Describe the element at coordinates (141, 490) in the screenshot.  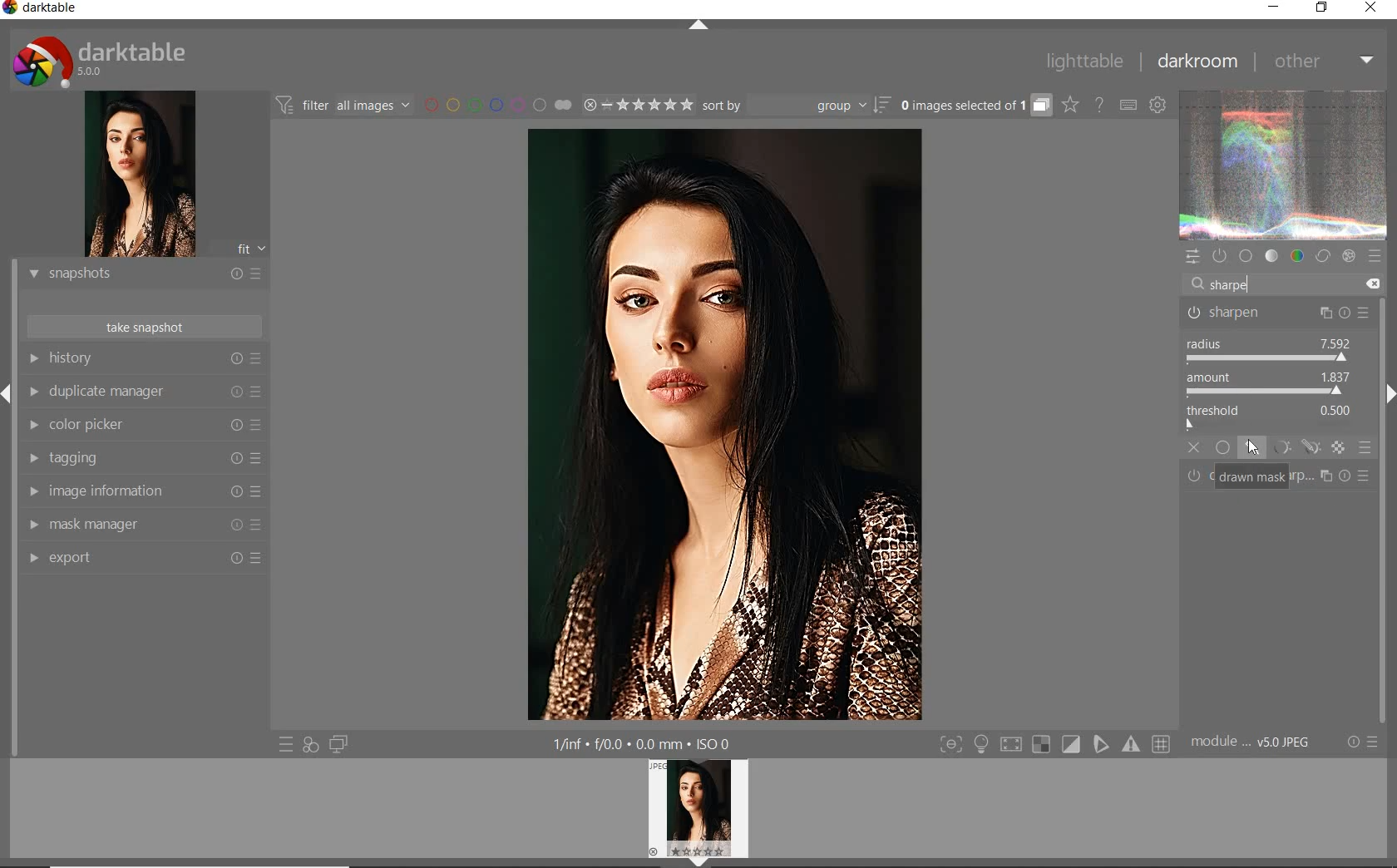
I see `IMAGE INFORMATION` at that location.